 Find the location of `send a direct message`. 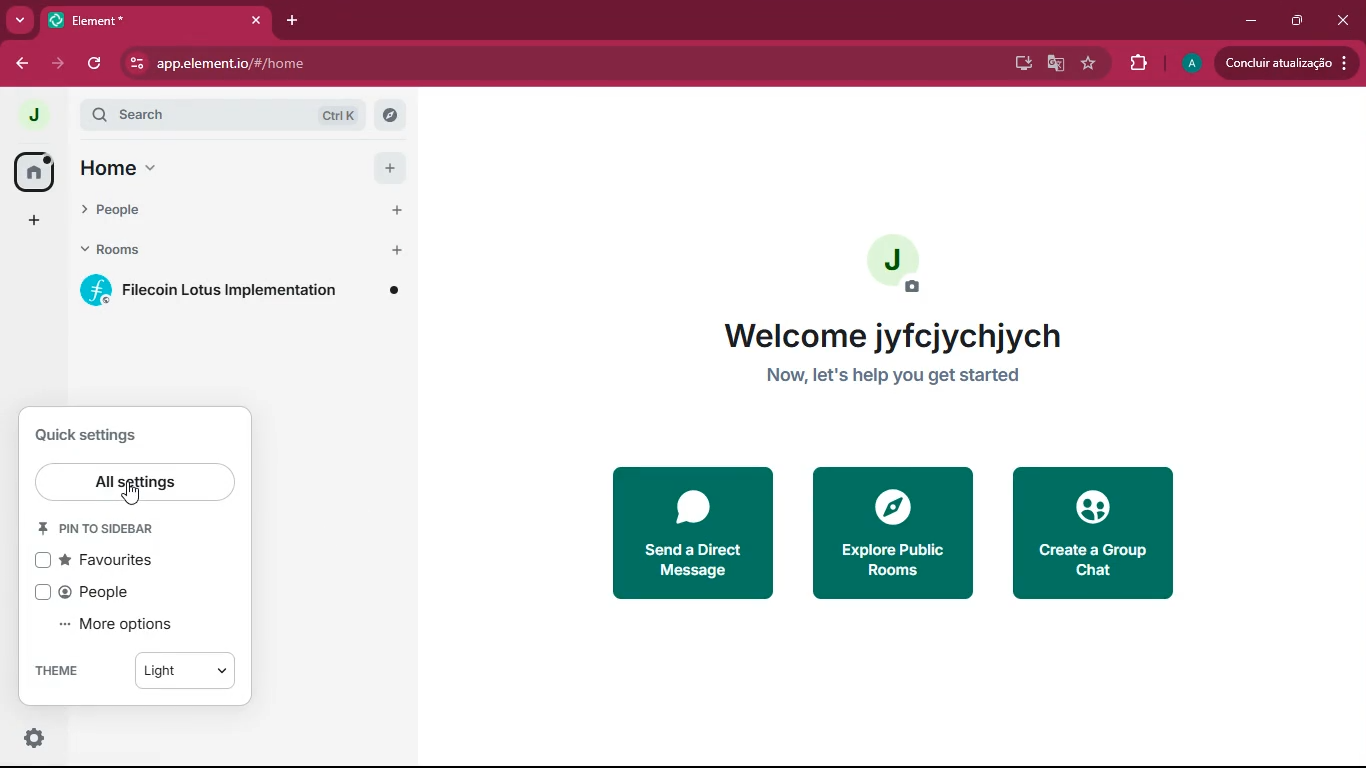

send a direct message is located at coordinates (690, 530).